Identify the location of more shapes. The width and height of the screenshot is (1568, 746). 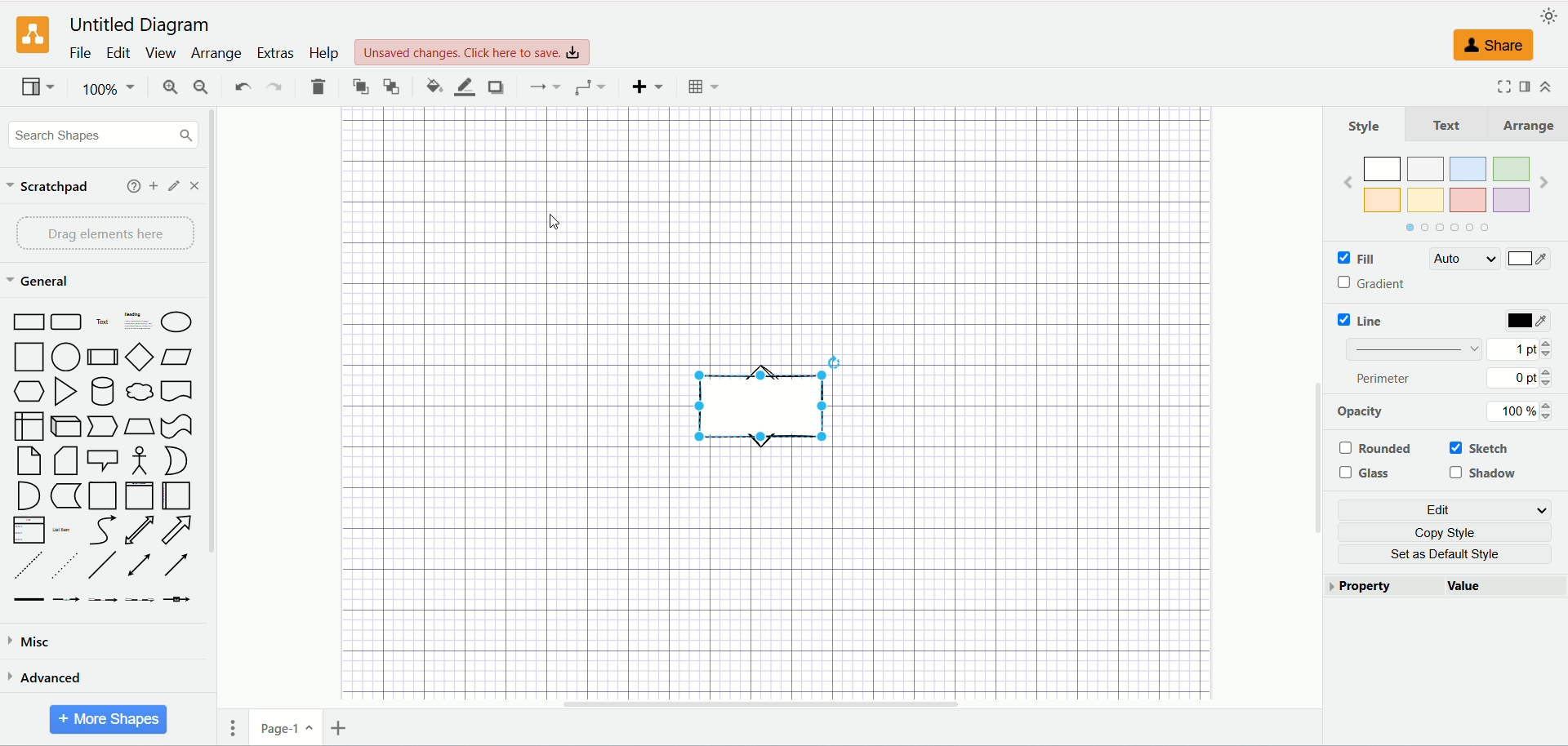
(109, 717).